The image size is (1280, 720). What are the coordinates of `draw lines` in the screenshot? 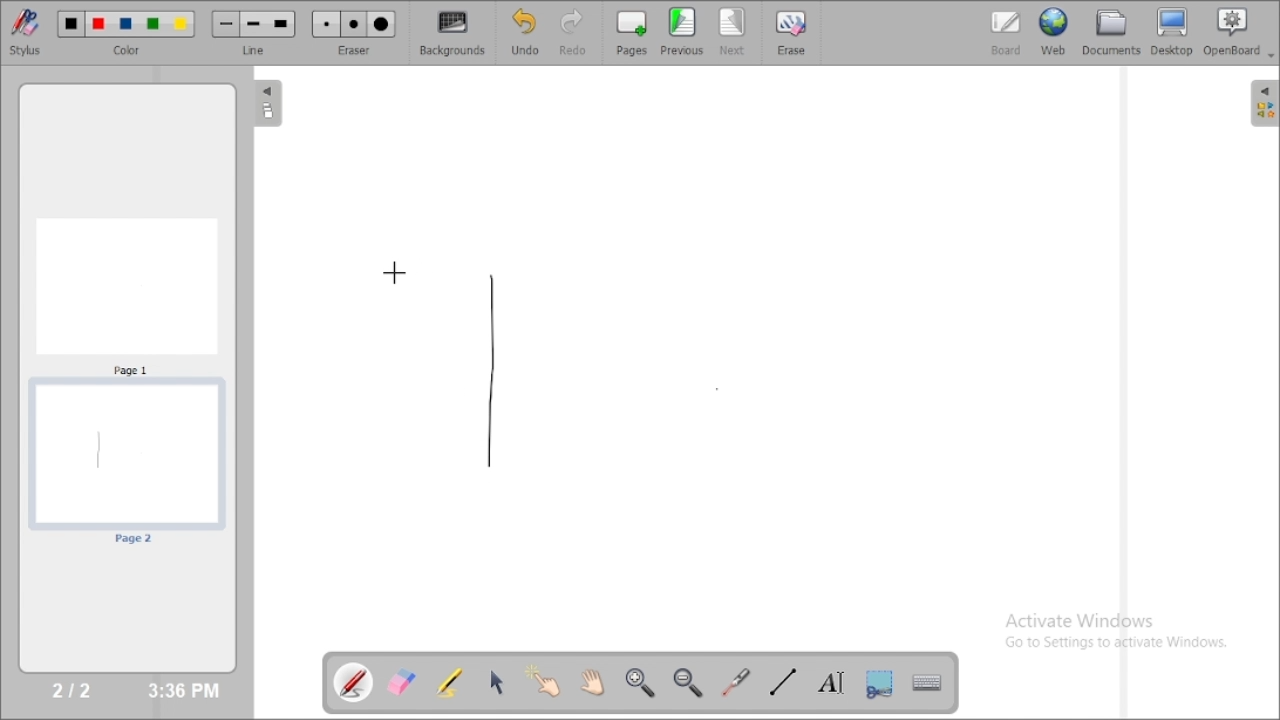 It's located at (782, 681).